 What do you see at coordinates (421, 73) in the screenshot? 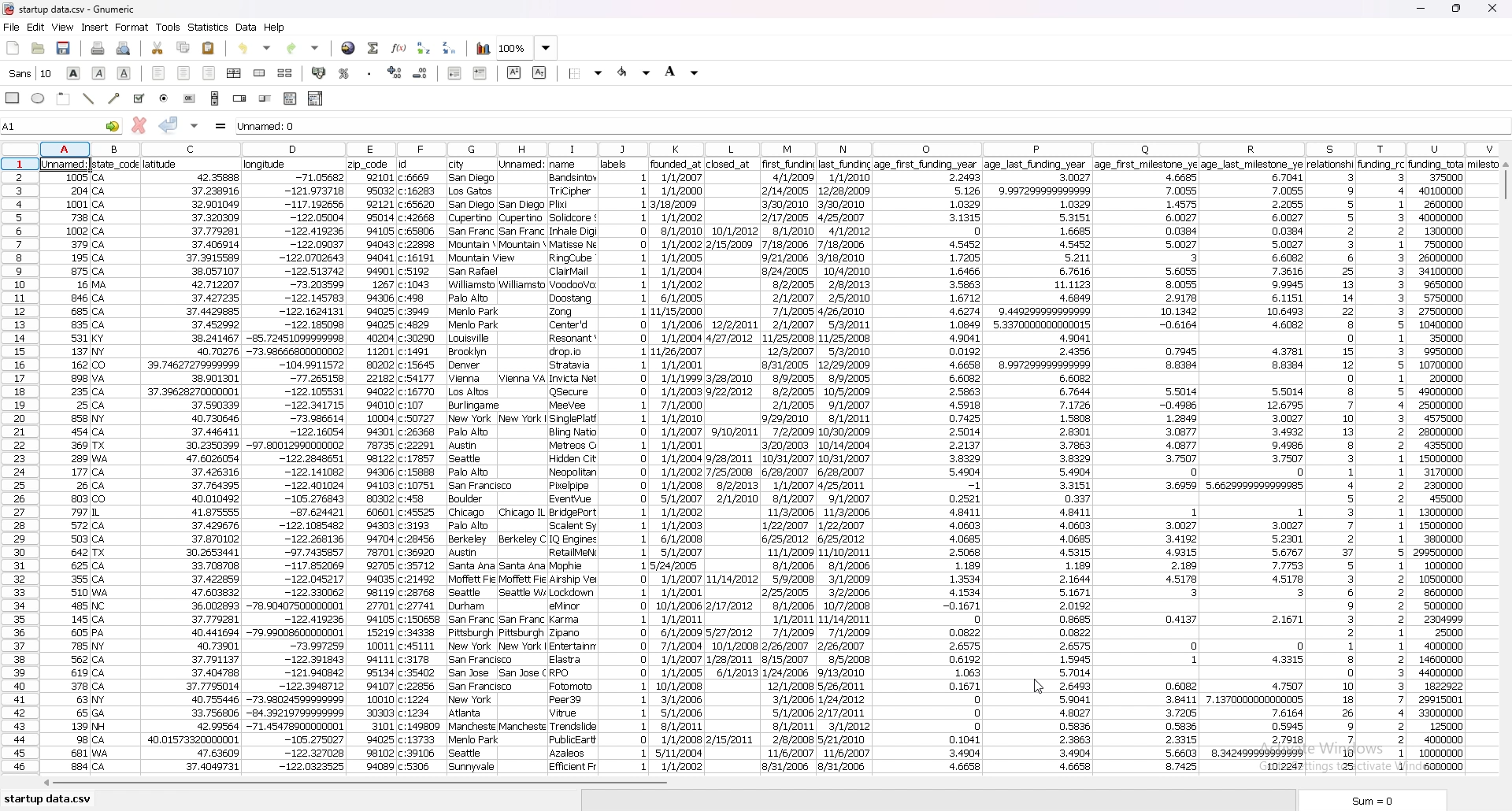
I see `decrease decimals` at bounding box center [421, 73].